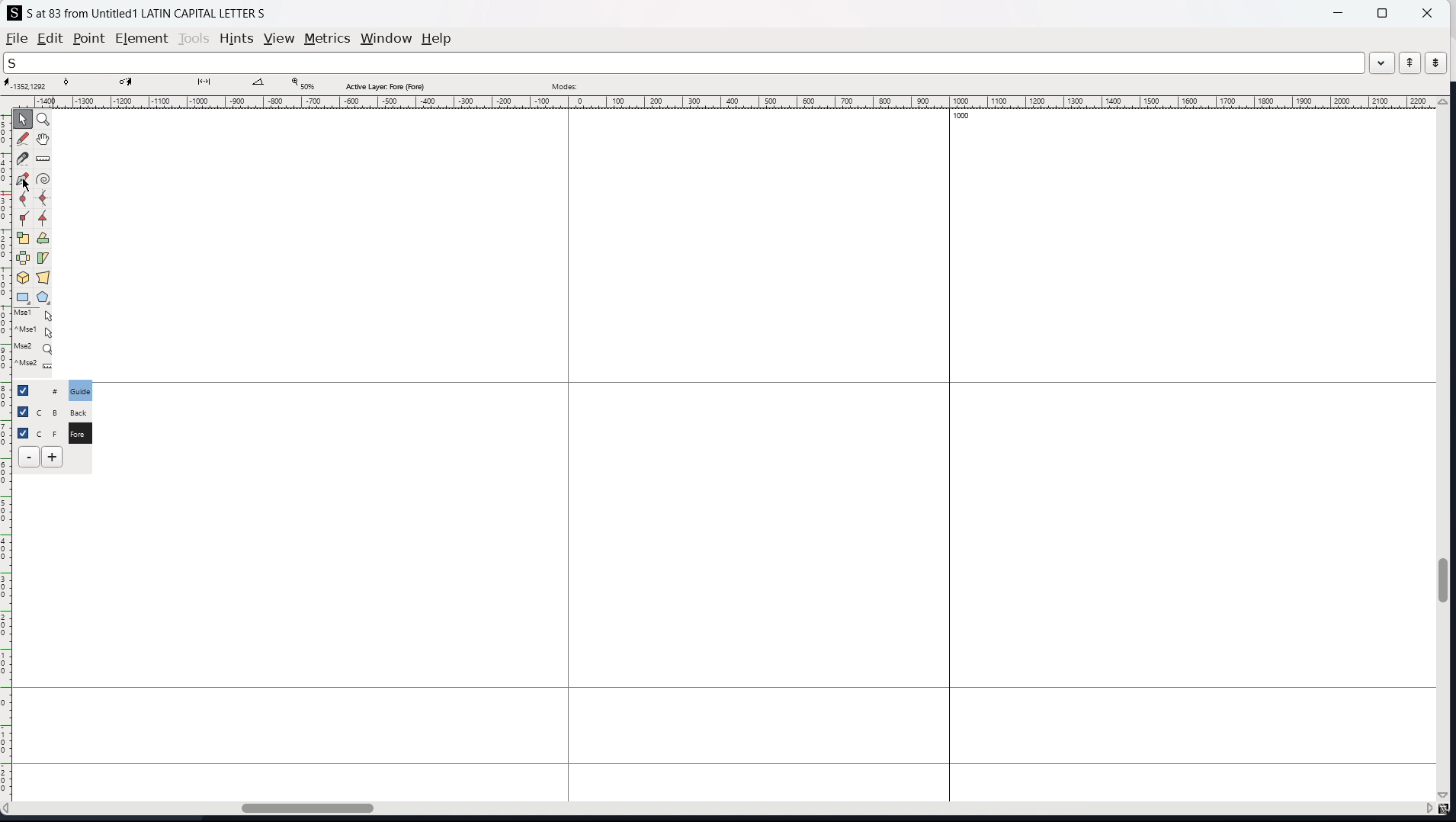  What do you see at coordinates (23, 159) in the screenshot?
I see `cut splines in two` at bounding box center [23, 159].